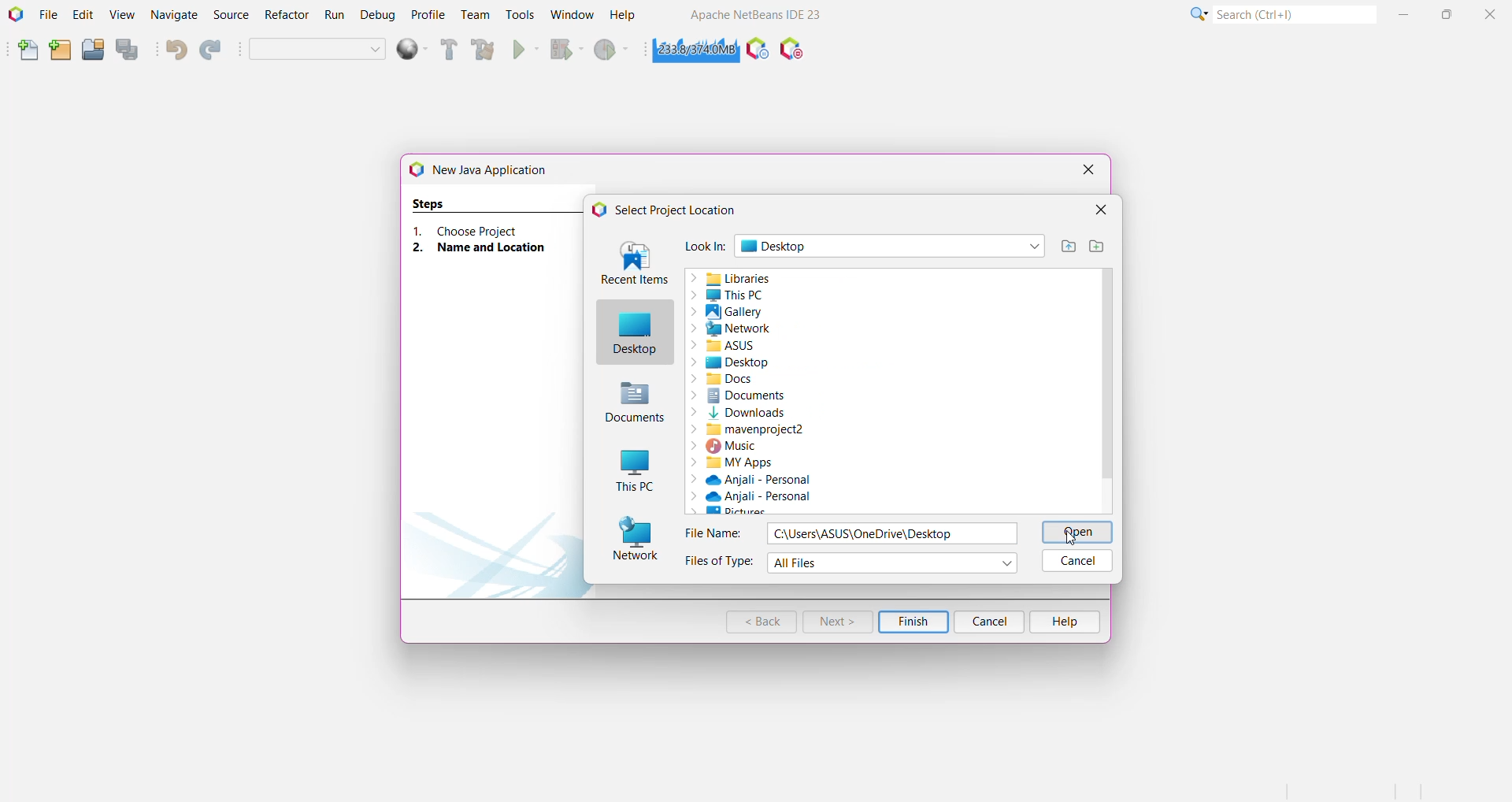  I want to click on Anjali - Personal, so click(769, 497).